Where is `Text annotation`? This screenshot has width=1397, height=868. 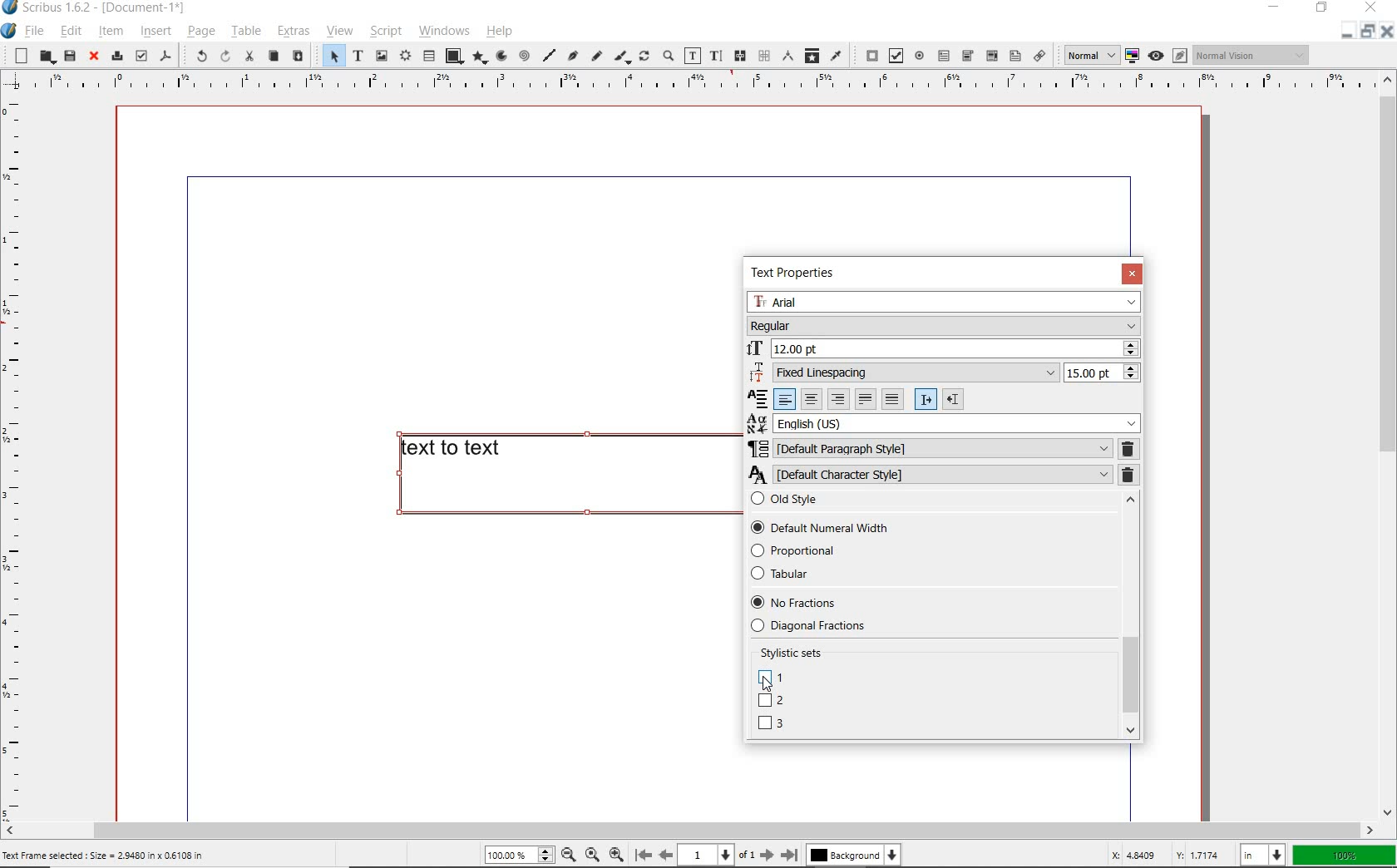 Text annotation is located at coordinates (1014, 57).